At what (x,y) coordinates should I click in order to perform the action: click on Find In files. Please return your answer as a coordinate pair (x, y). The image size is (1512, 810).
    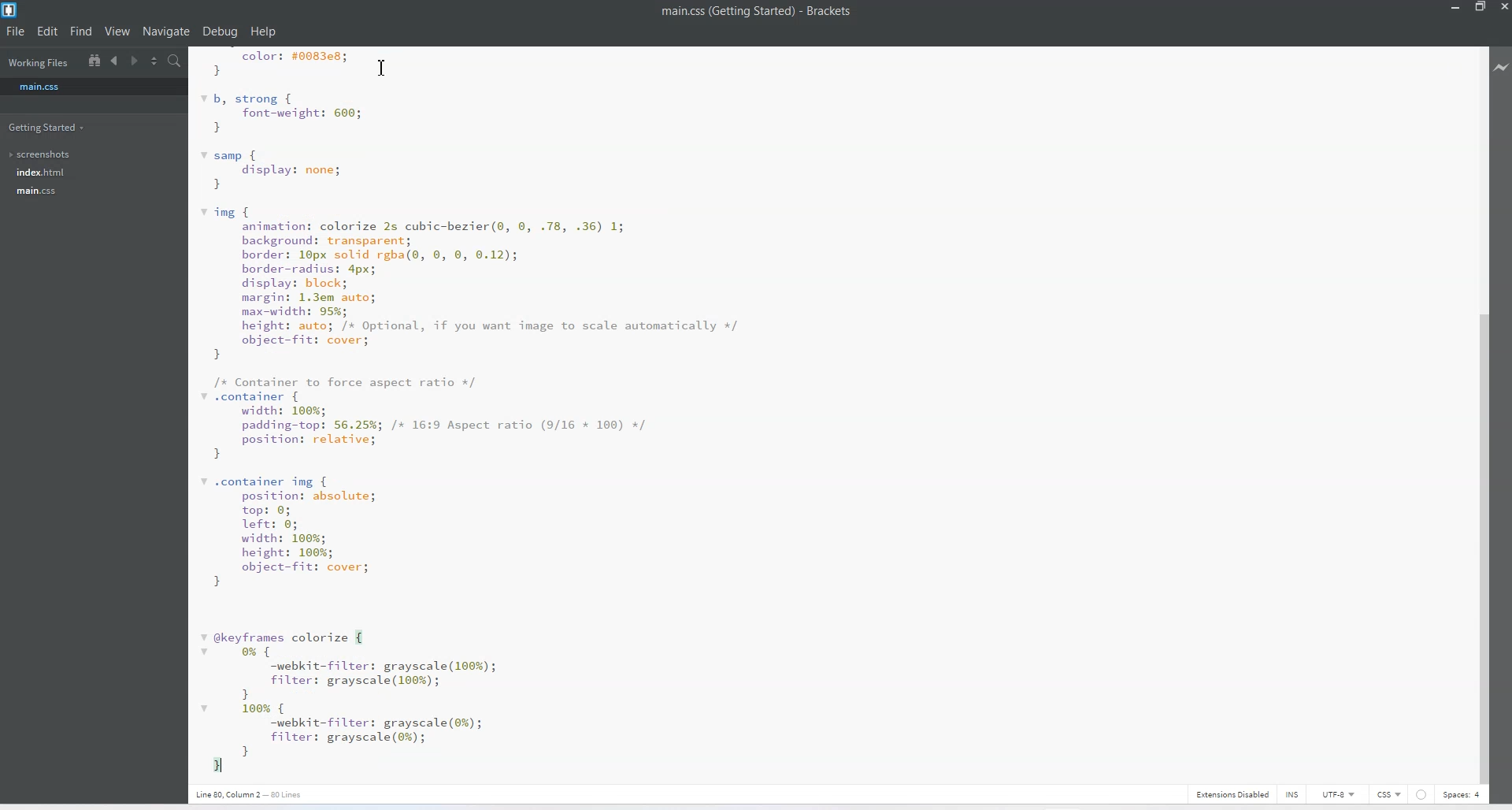
    Looking at the image, I should click on (176, 61).